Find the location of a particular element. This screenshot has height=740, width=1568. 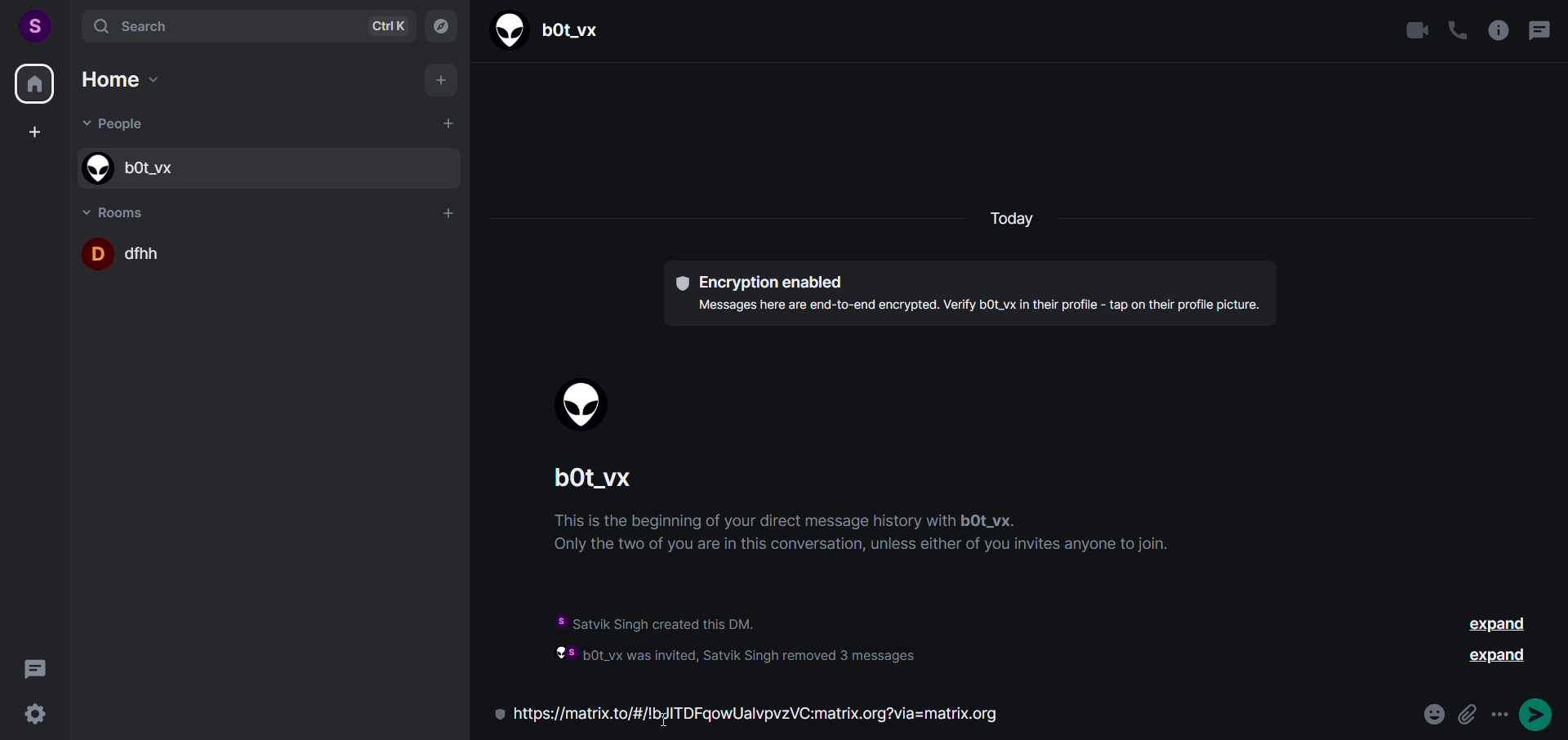

add room is located at coordinates (449, 213).